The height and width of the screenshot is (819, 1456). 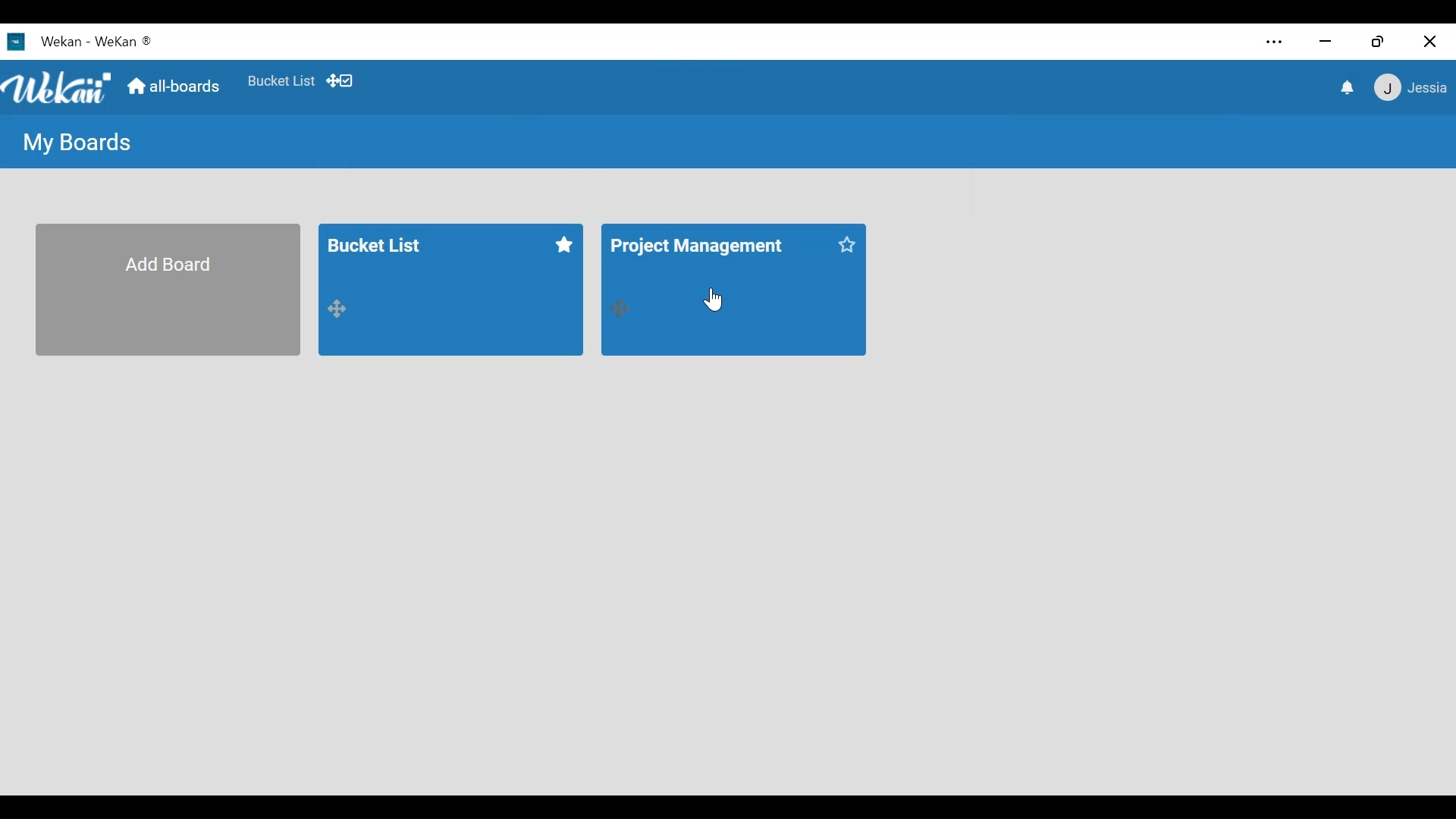 What do you see at coordinates (846, 246) in the screenshot?
I see `mark as favorite` at bounding box center [846, 246].